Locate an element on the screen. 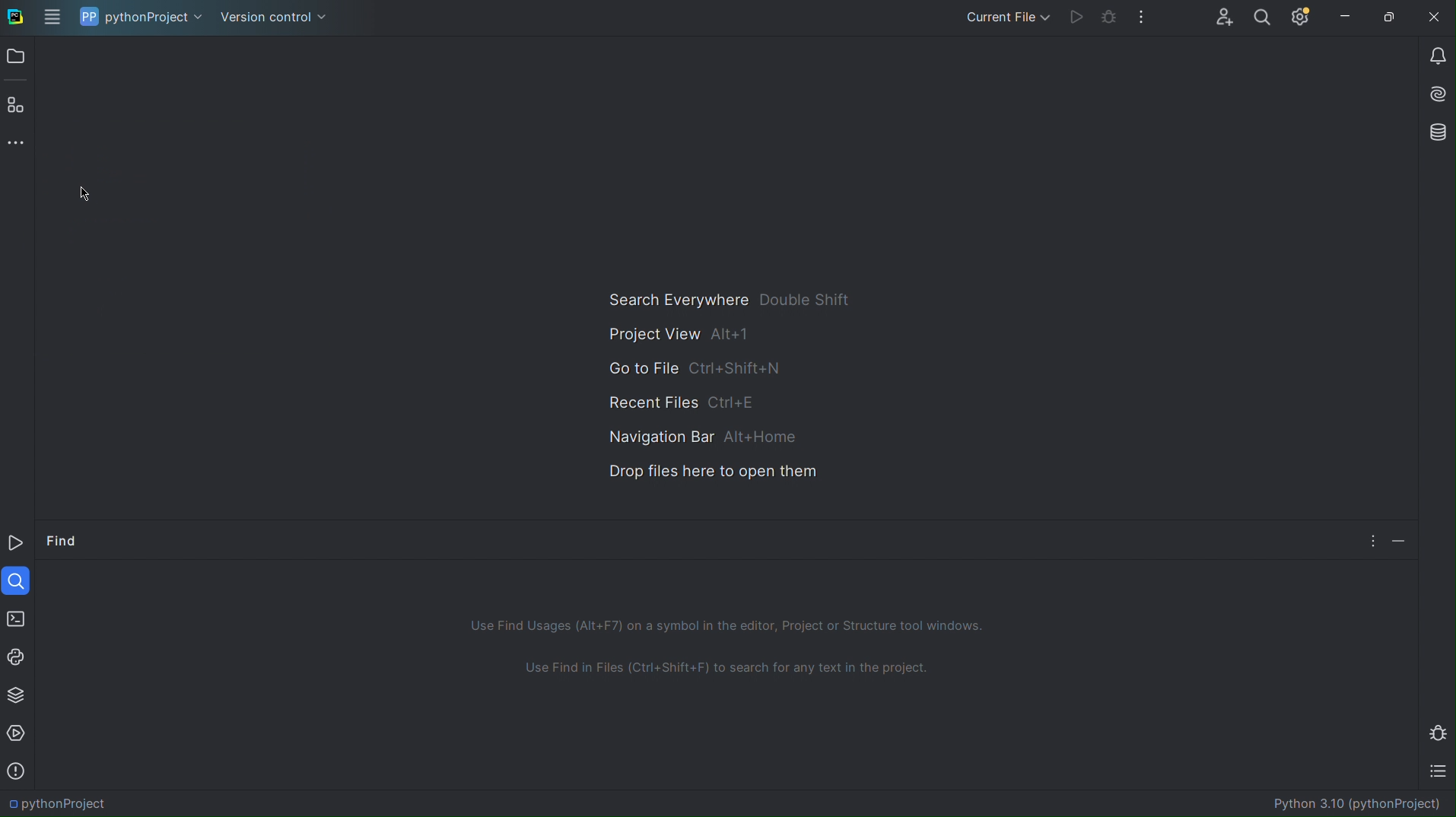  Python Packages is located at coordinates (17, 693).